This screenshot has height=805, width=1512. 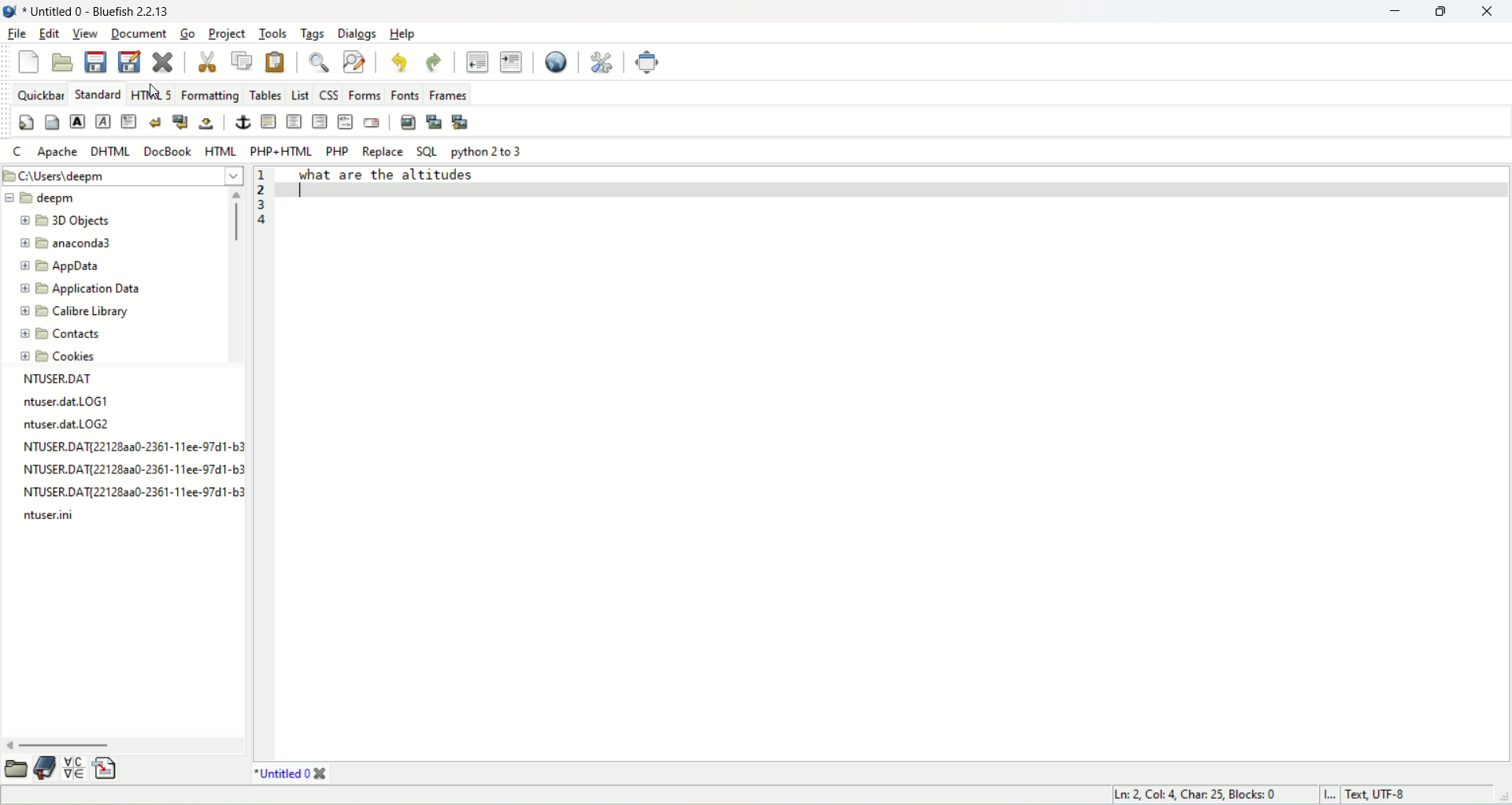 I want to click on strong, so click(x=78, y=123).